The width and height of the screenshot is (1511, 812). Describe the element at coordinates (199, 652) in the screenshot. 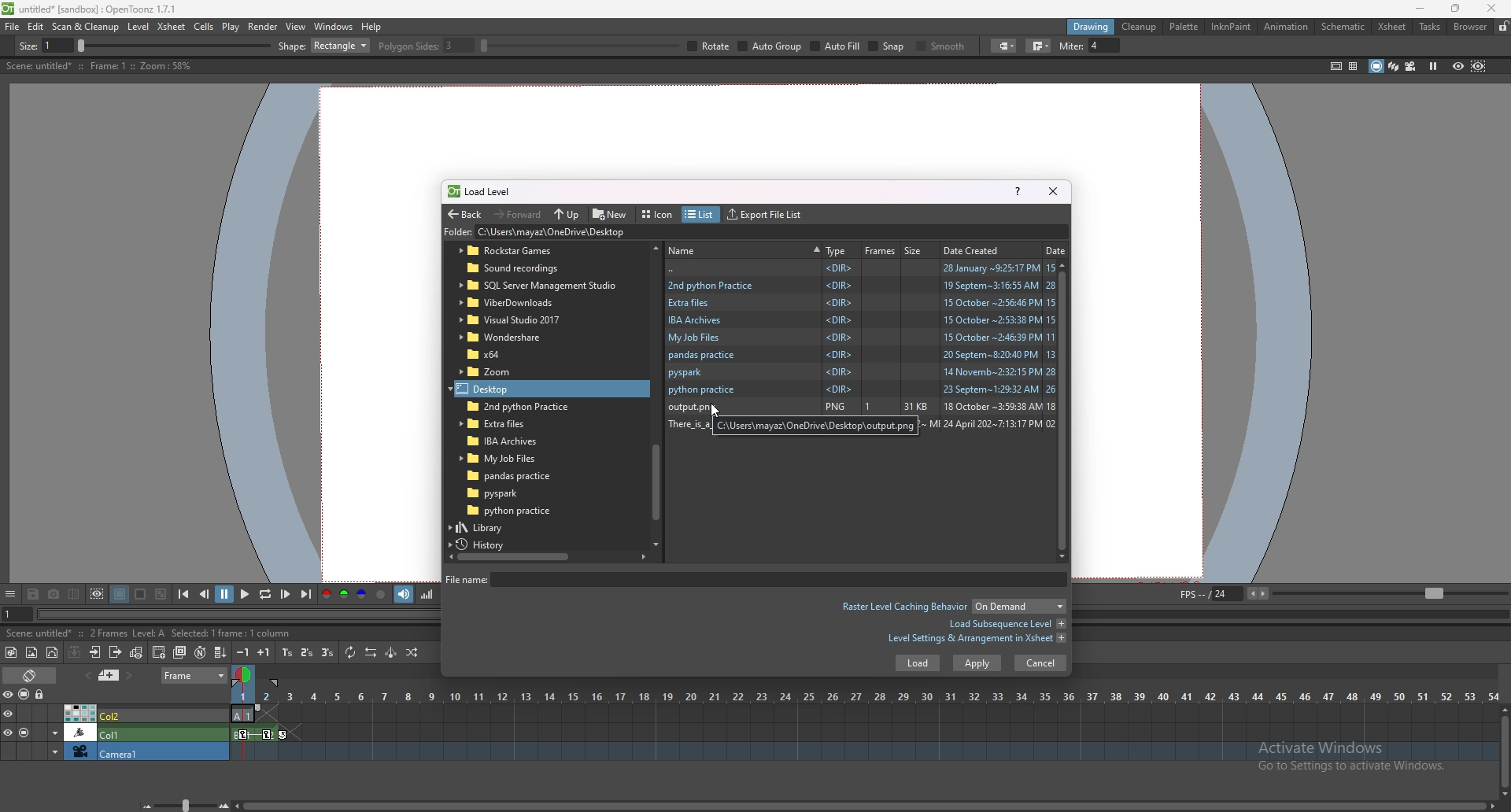

I see `auto input cell number` at that location.